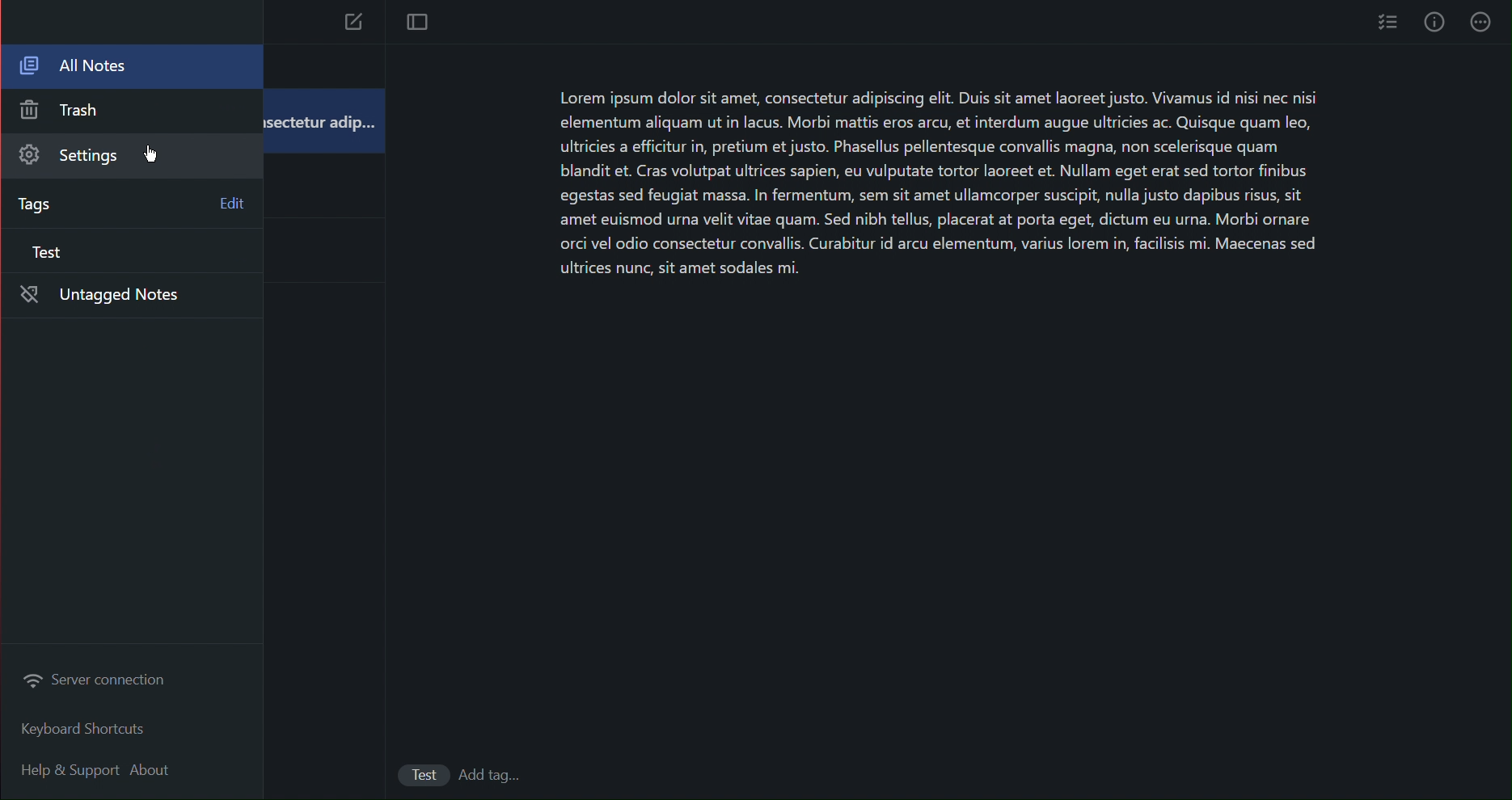 The width and height of the screenshot is (1512, 800). Describe the element at coordinates (38, 206) in the screenshot. I see `Tags` at that location.